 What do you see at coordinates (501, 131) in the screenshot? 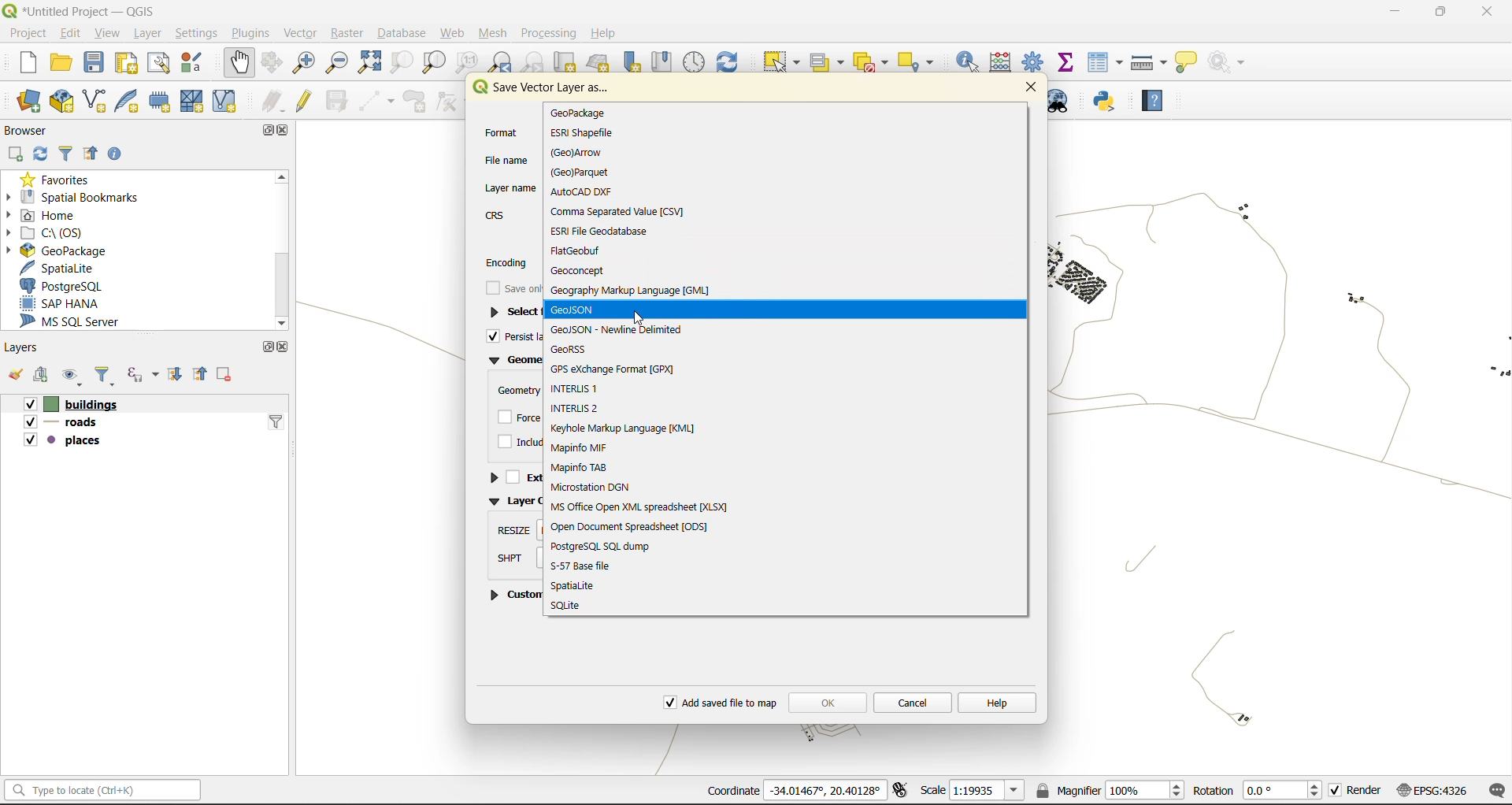
I see `Format` at bounding box center [501, 131].